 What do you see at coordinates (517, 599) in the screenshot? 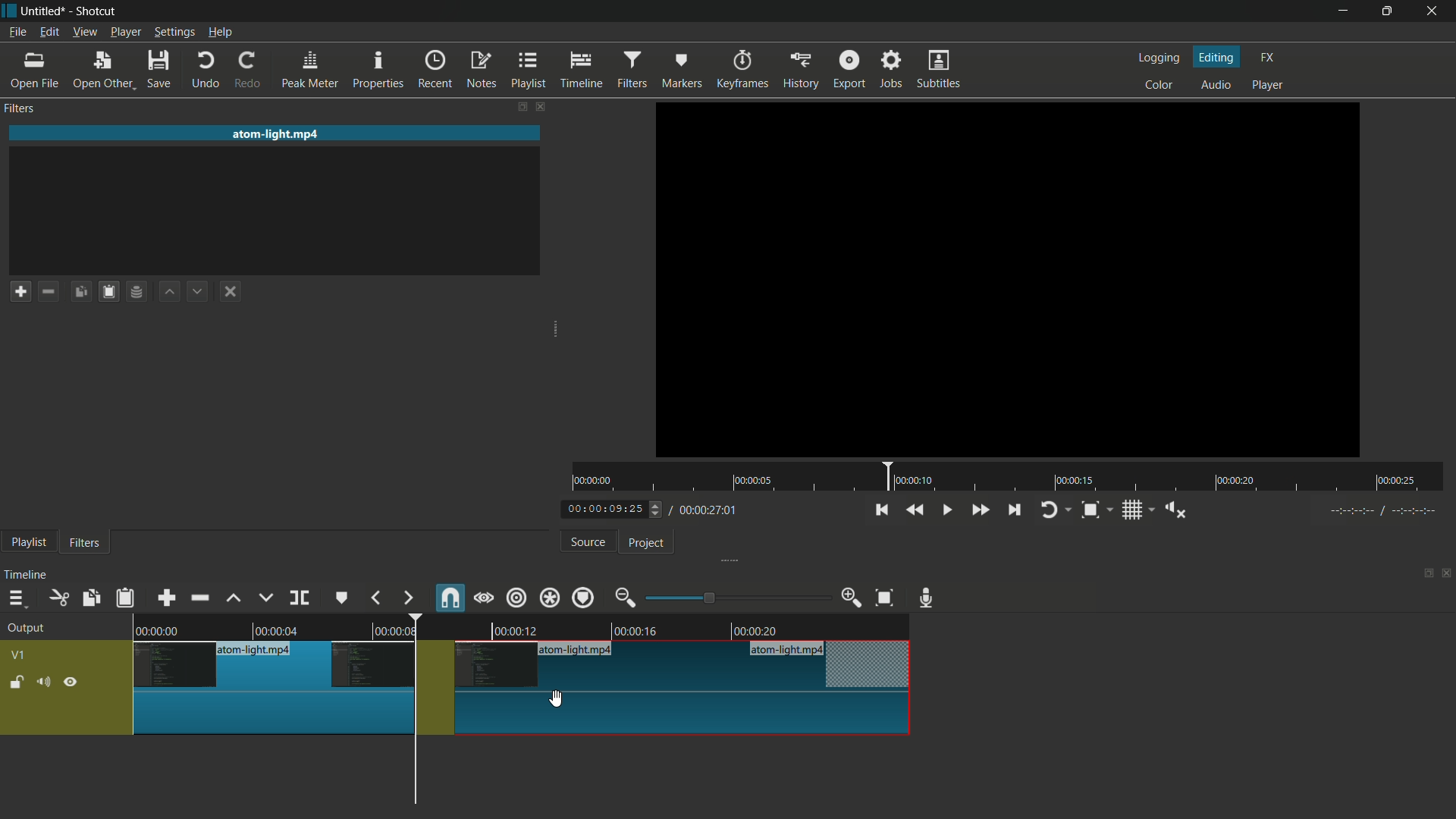
I see `ripple` at bounding box center [517, 599].